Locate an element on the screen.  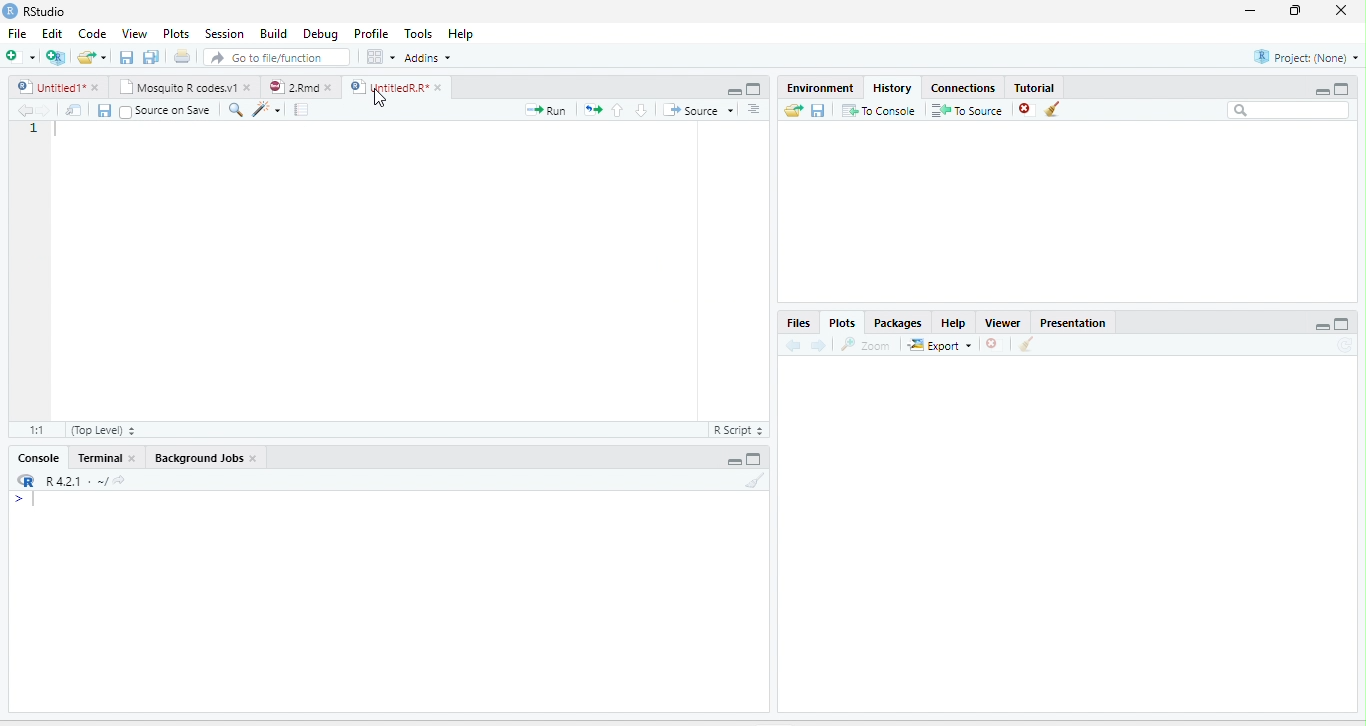
Mosquito R codes.v1 is located at coordinates (176, 87).